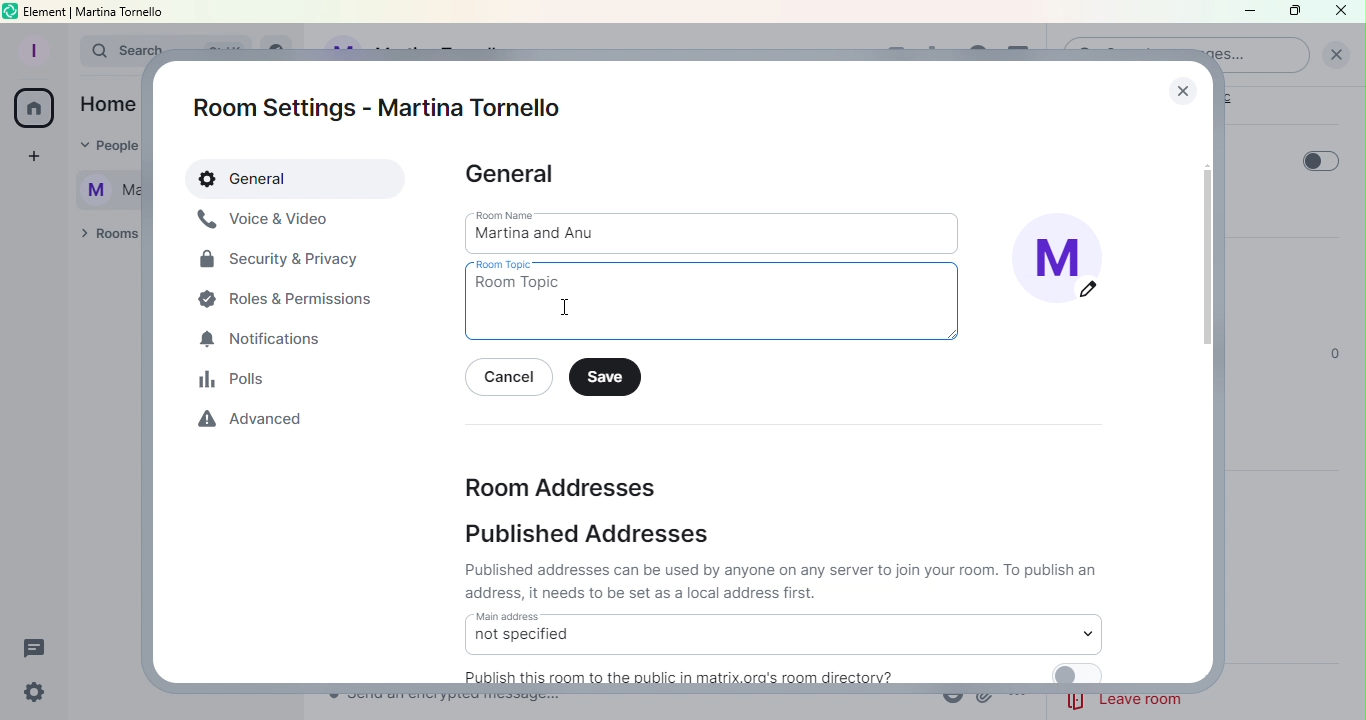 This screenshot has width=1366, height=720. I want to click on Create a space, so click(31, 159).